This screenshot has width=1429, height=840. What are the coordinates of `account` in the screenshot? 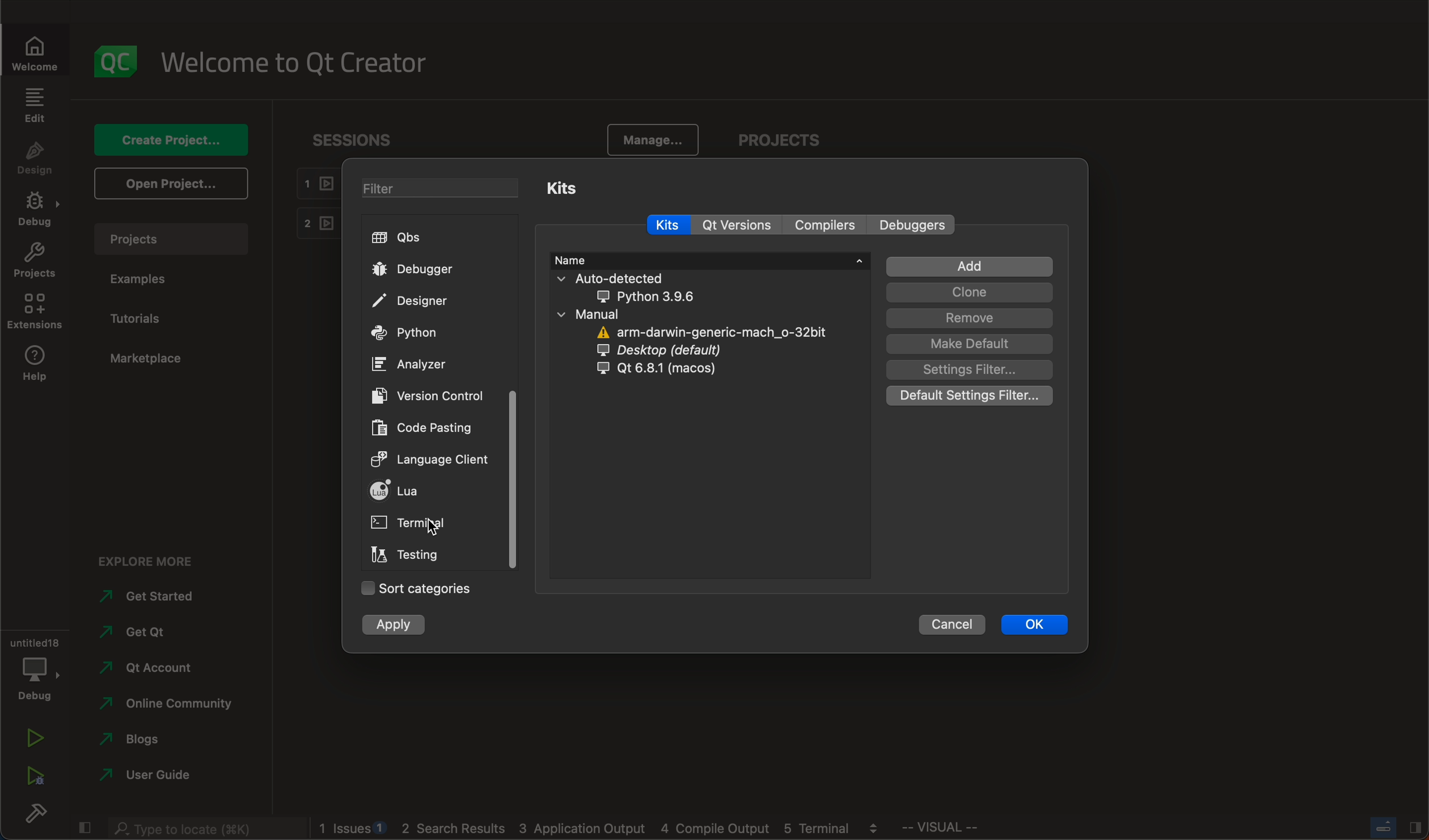 It's located at (152, 664).